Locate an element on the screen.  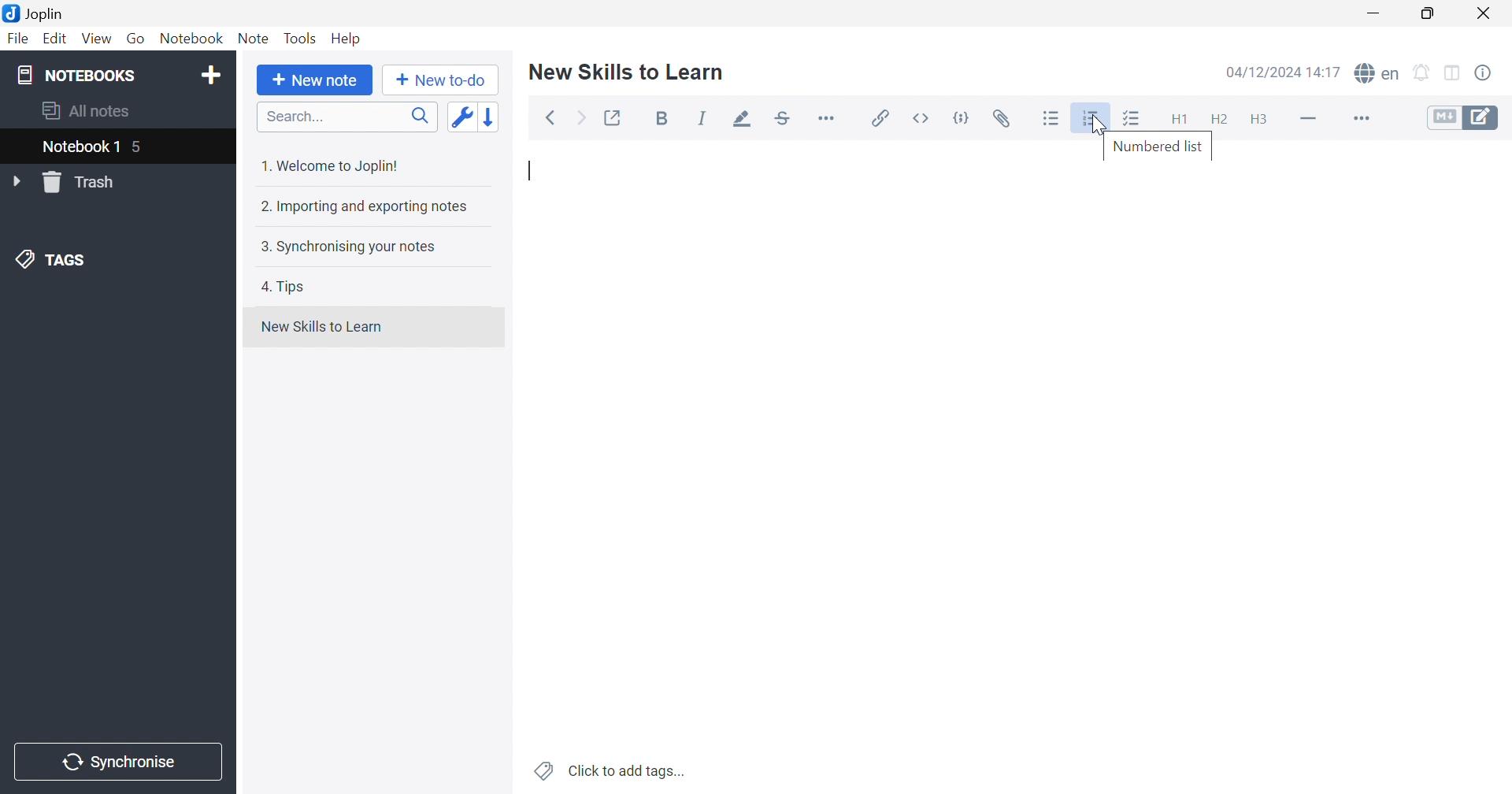
New to-do is located at coordinates (439, 80).